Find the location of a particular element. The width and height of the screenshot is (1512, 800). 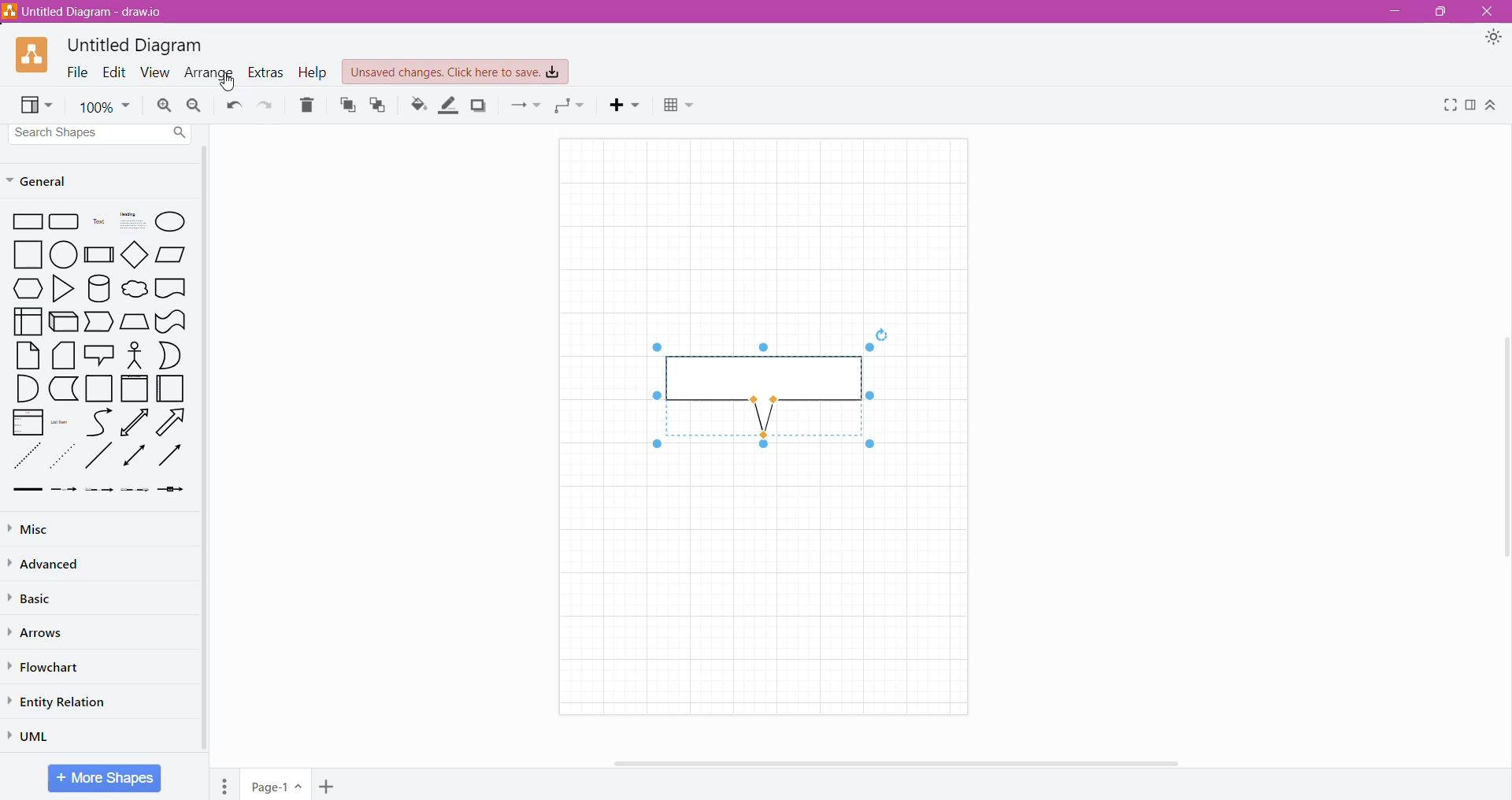

Arrange is located at coordinates (209, 72).